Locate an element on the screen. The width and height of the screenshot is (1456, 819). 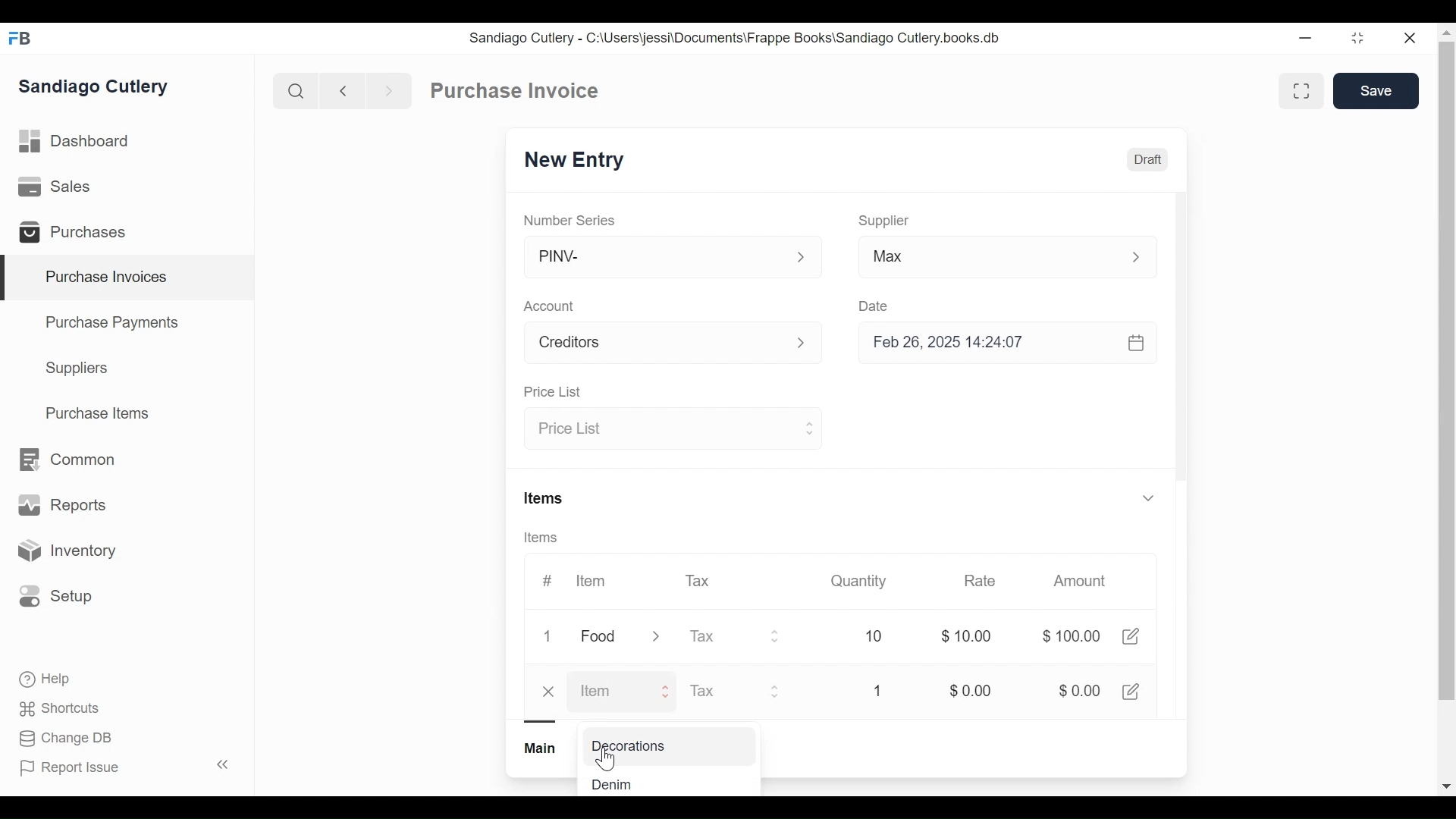
close is located at coordinates (1411, 39).